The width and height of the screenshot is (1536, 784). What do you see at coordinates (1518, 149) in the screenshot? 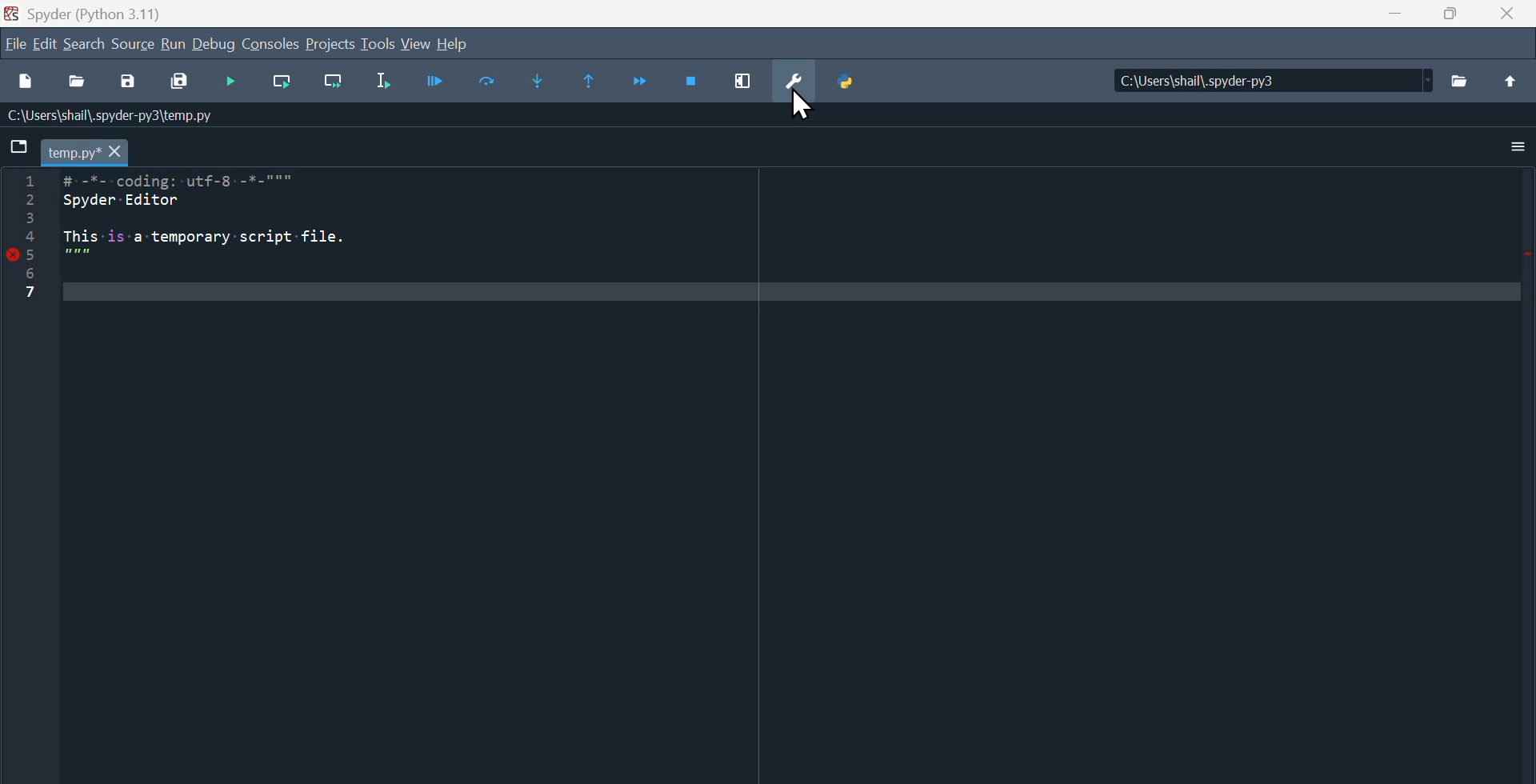
I see `More options` at bounding box center [1518, 149].